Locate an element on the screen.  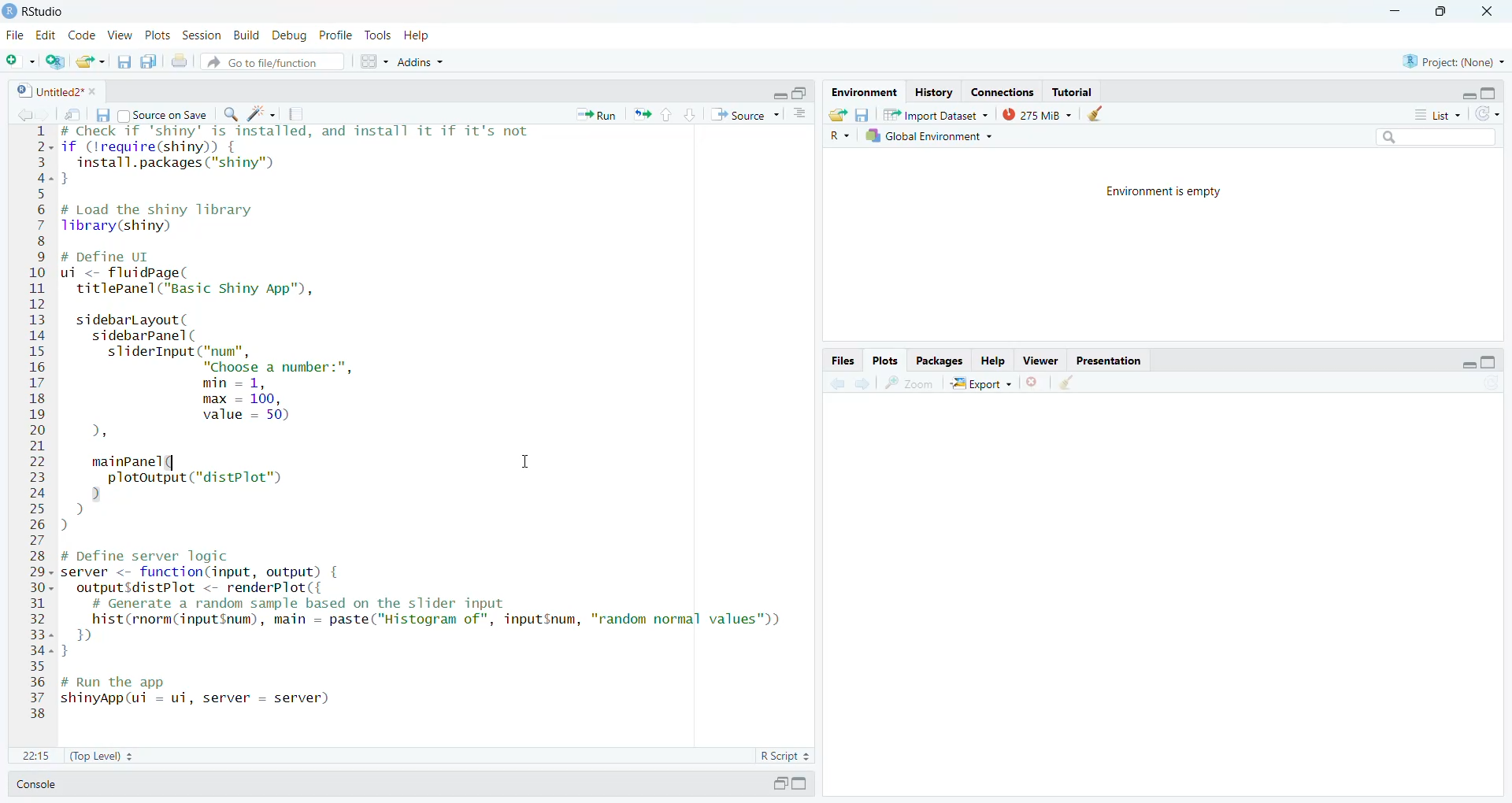
Import Dataset is located at coordinates (937, 115).